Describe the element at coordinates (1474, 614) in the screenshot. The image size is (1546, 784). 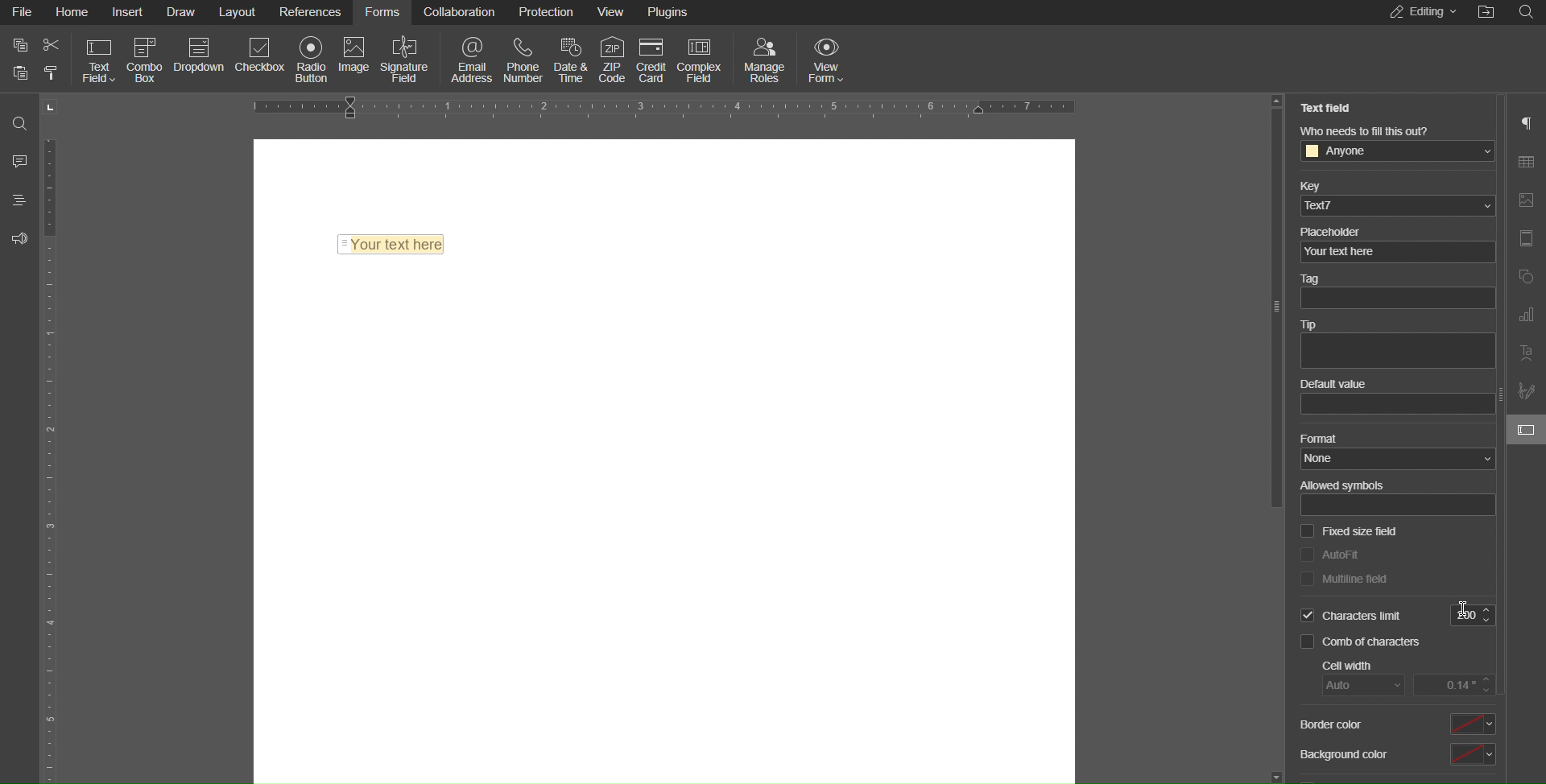
I see `200` at that location.